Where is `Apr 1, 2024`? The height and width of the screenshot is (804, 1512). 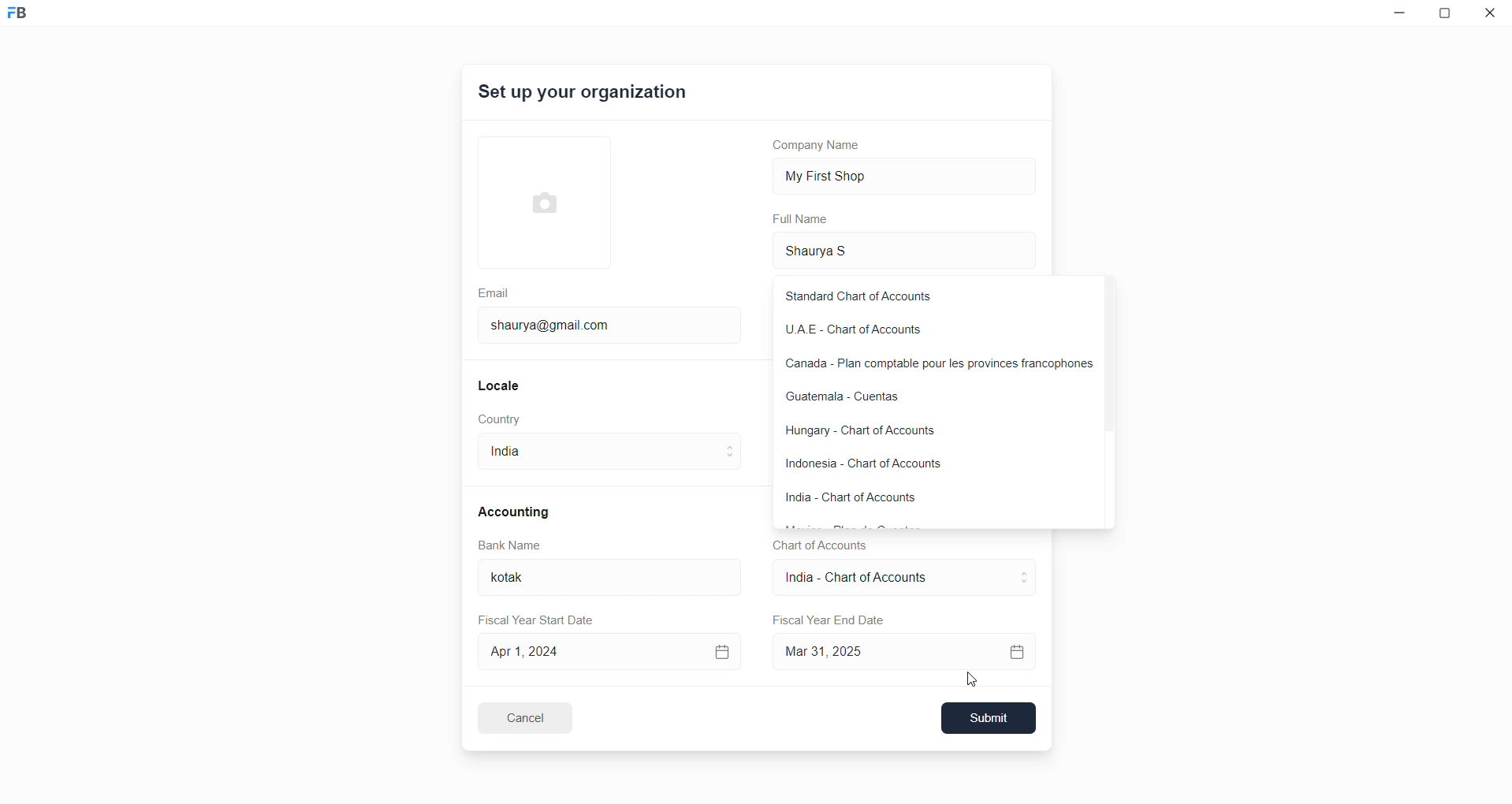
Apr 1, 2024 is located at coordinates (608, 650).